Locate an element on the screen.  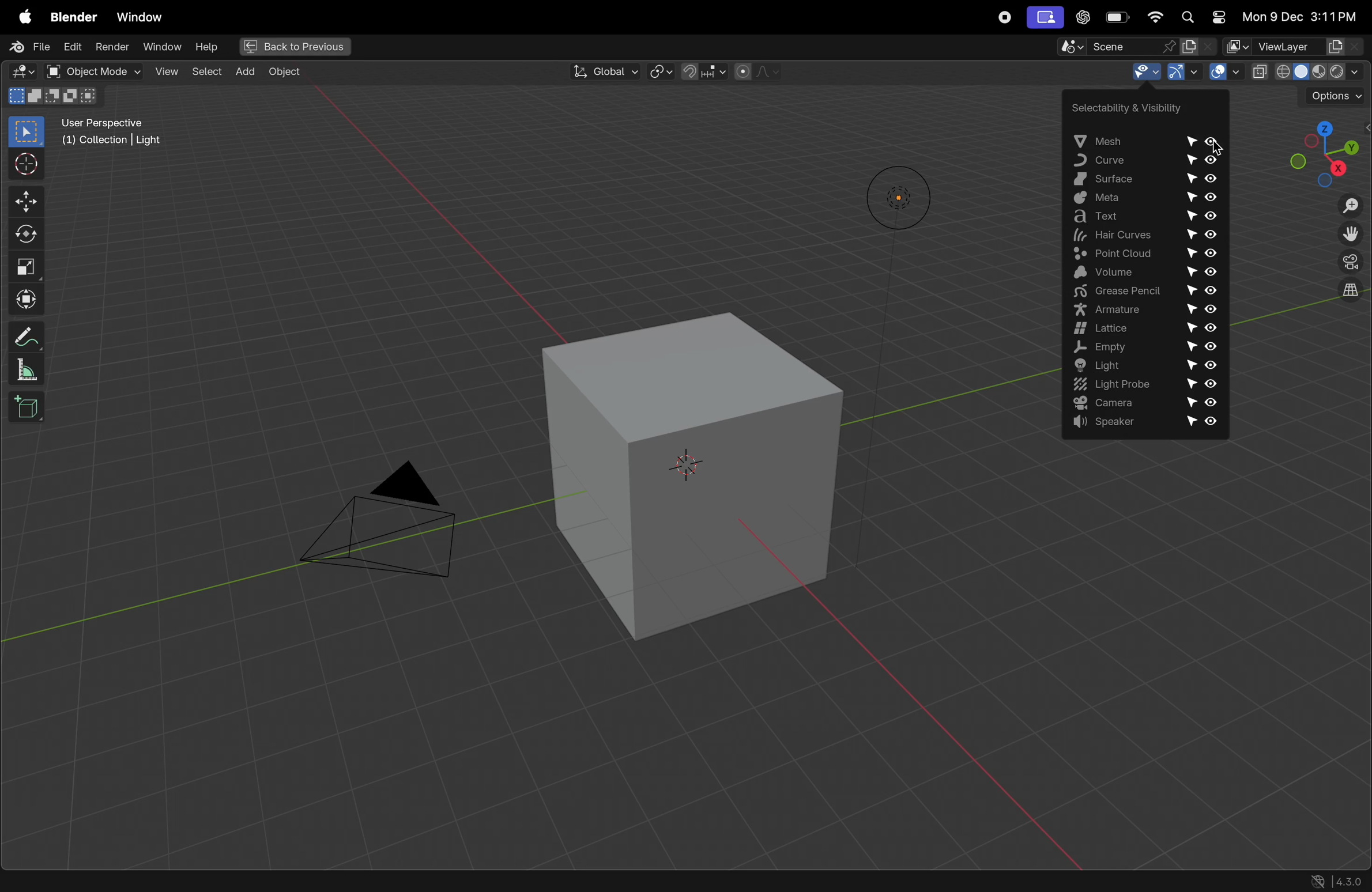
select is located at coordinates (27, 132).